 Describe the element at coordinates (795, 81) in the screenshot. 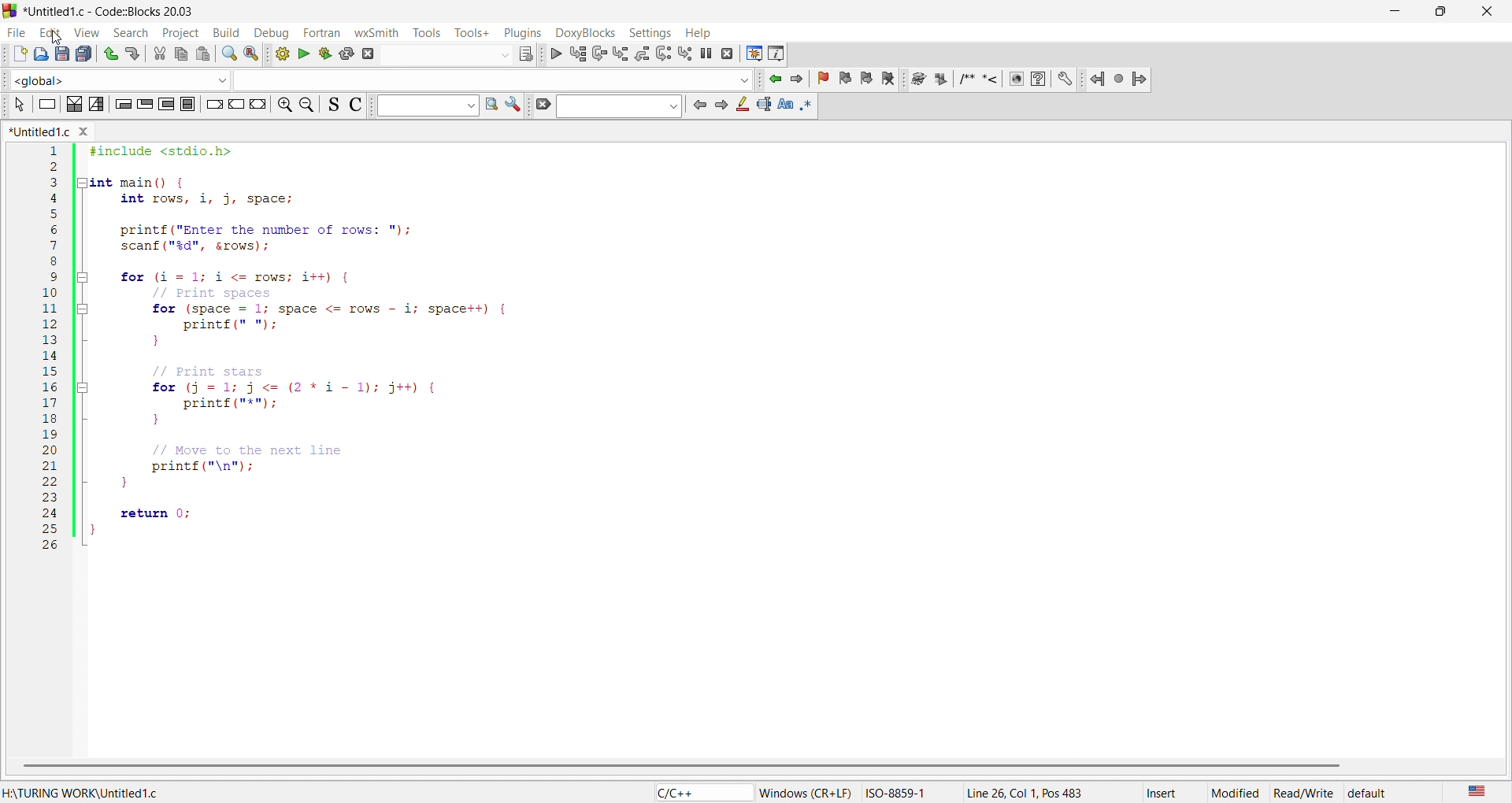

I see `jump forward` at that location.